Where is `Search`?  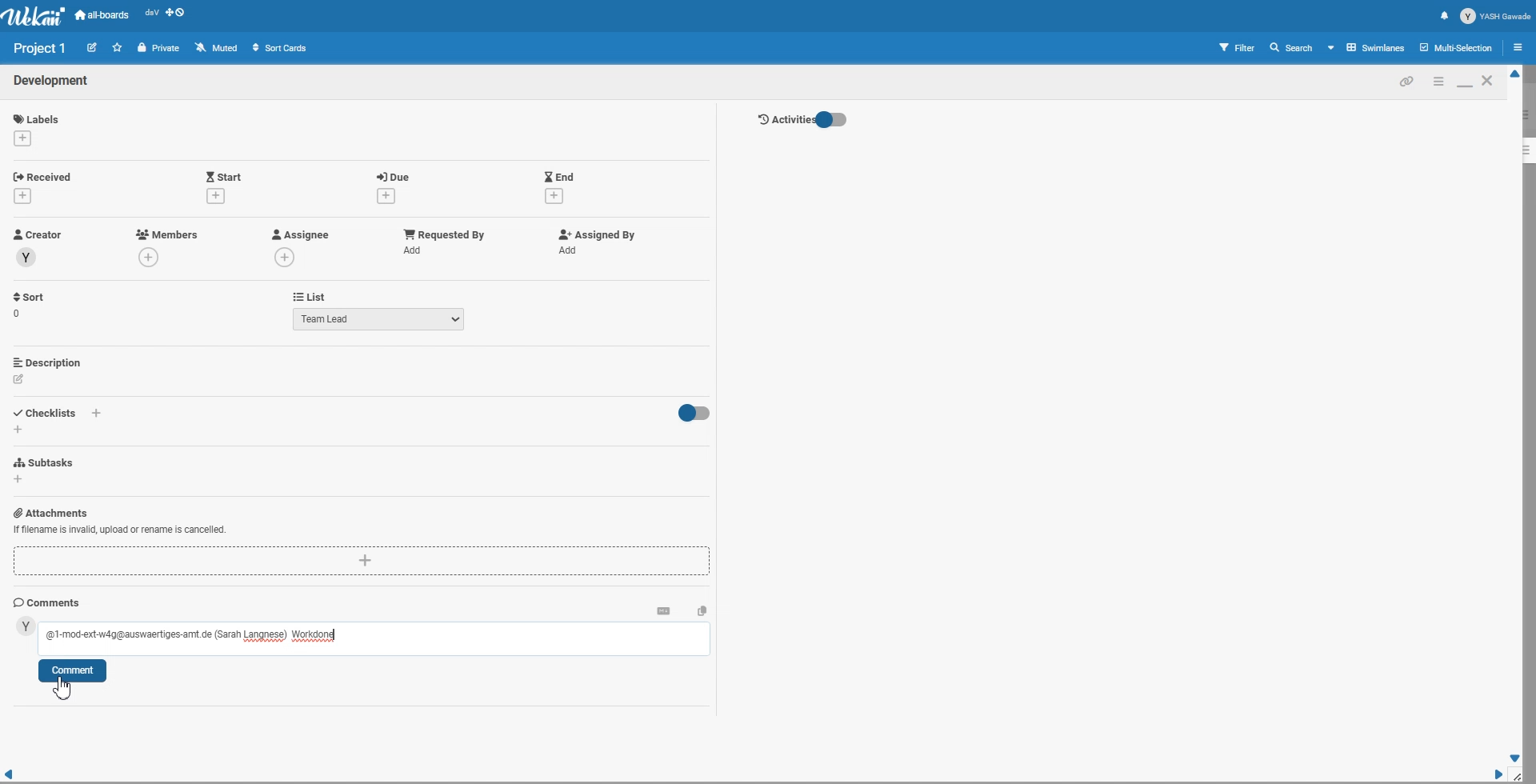
Search is located at coordinates (1292, 47).